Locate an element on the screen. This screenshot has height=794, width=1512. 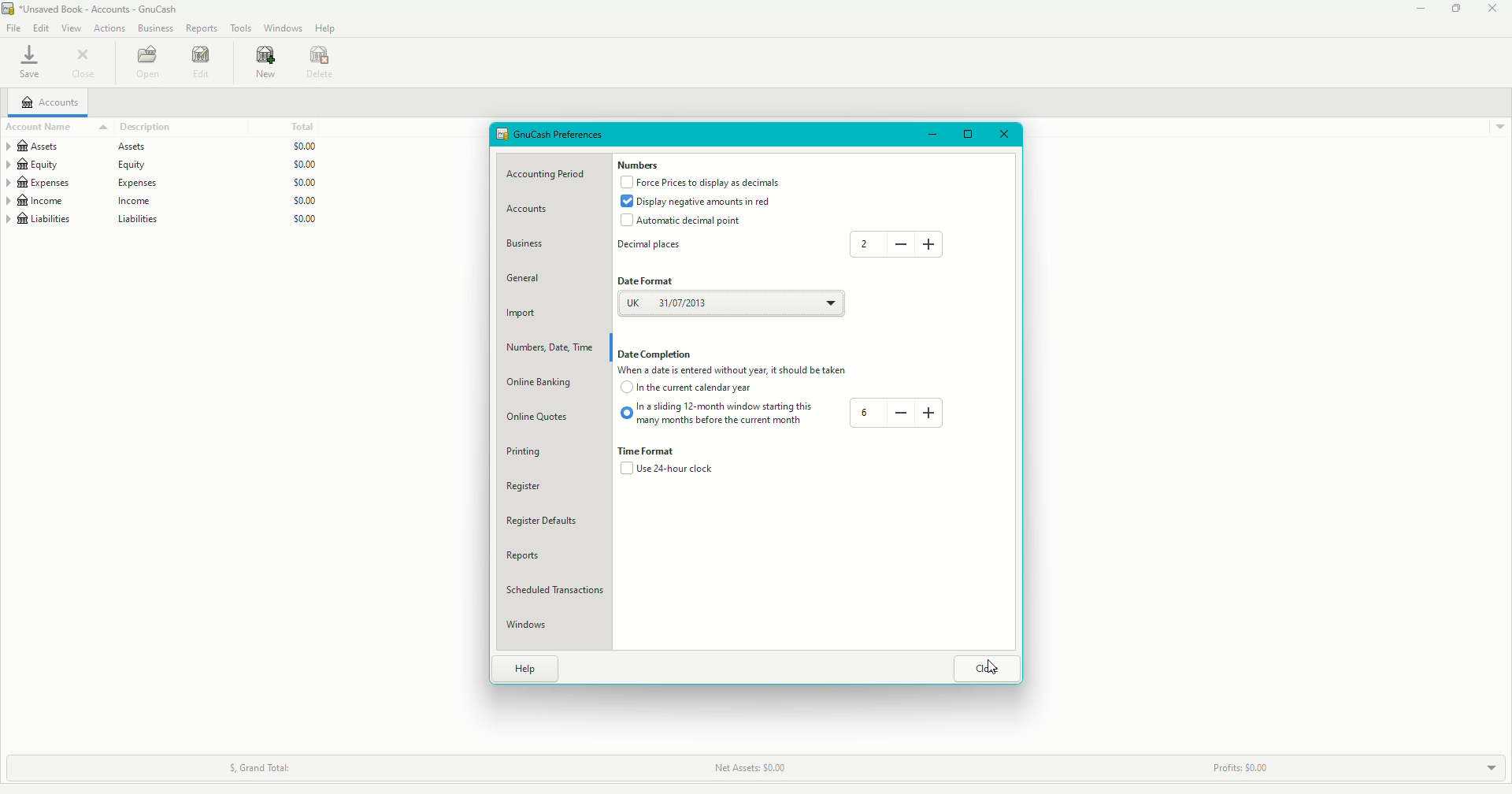
Save is located at coordinates (28, 65).